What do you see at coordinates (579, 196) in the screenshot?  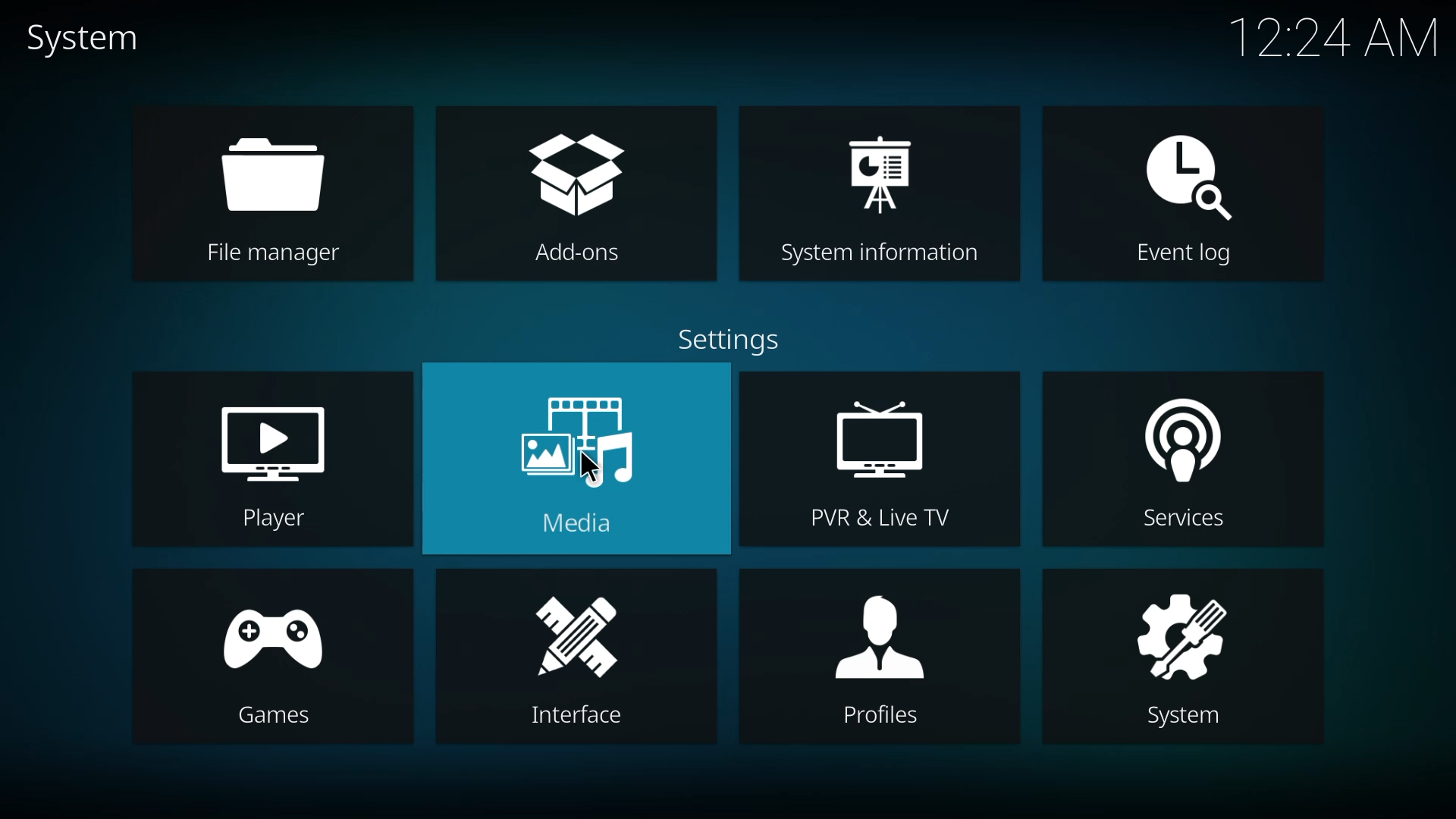 I see `add-ons` at bounding box center [579, 196].